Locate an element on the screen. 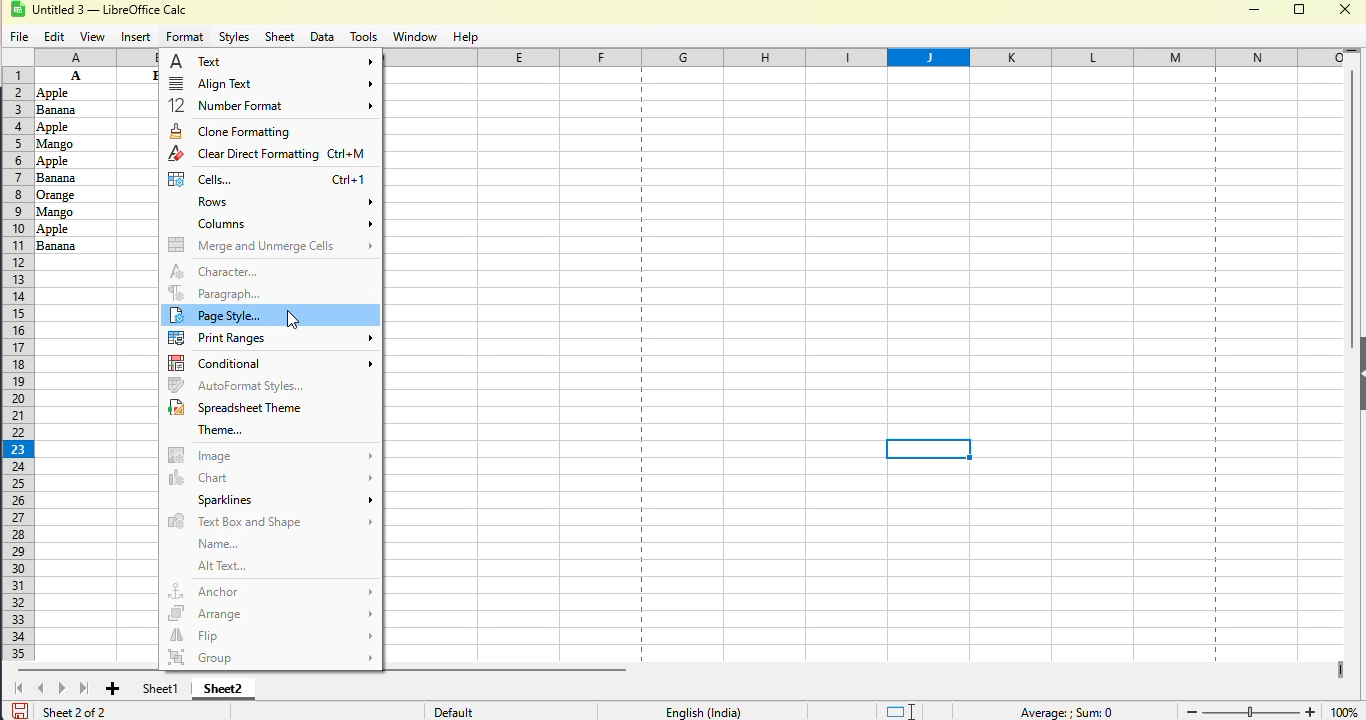  scroll to previous sheet is located at coordinates (41, 688).